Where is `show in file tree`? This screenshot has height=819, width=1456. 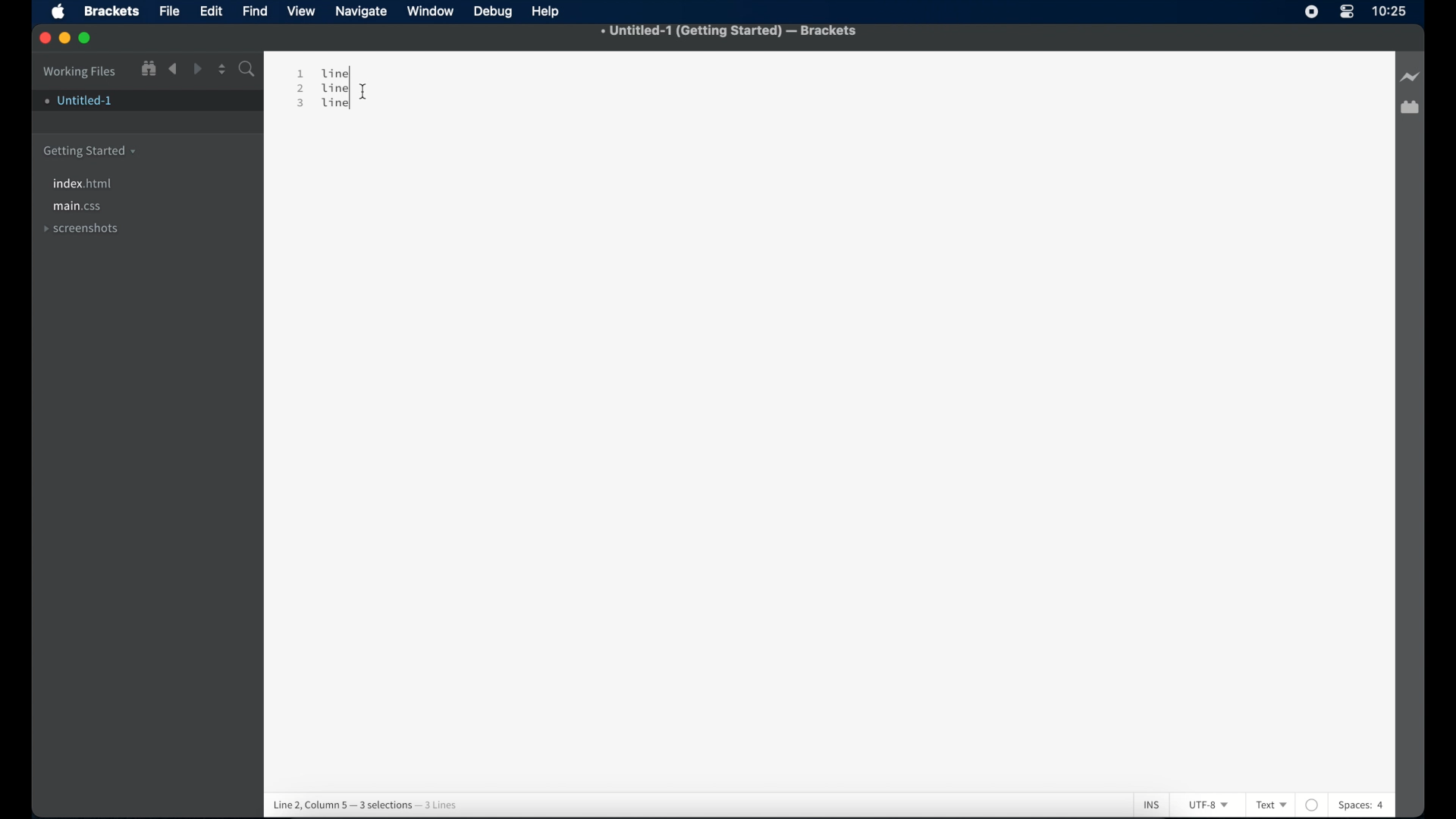
show in file tree is located at coordinates (149, 69).